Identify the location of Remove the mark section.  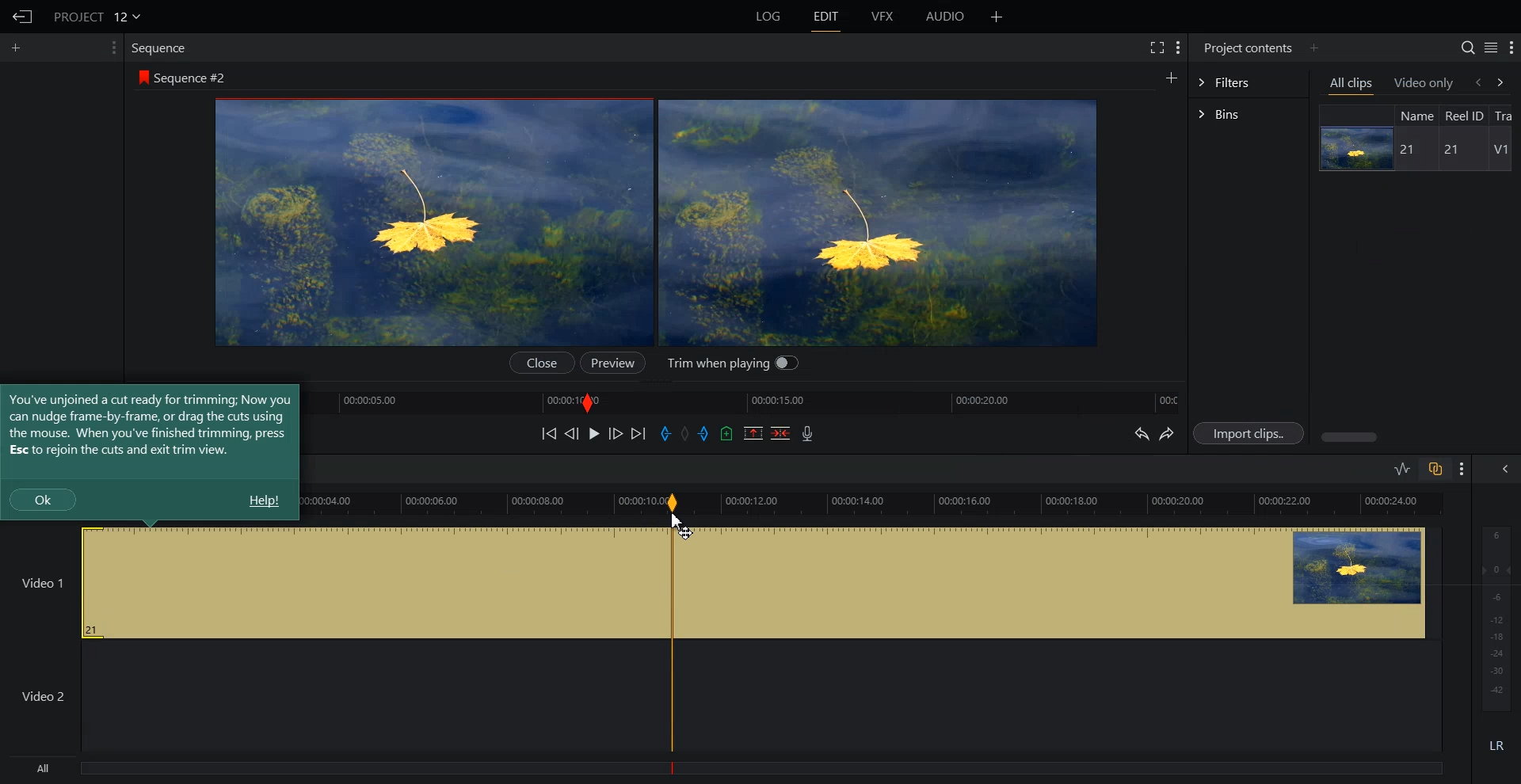
(753, 433).